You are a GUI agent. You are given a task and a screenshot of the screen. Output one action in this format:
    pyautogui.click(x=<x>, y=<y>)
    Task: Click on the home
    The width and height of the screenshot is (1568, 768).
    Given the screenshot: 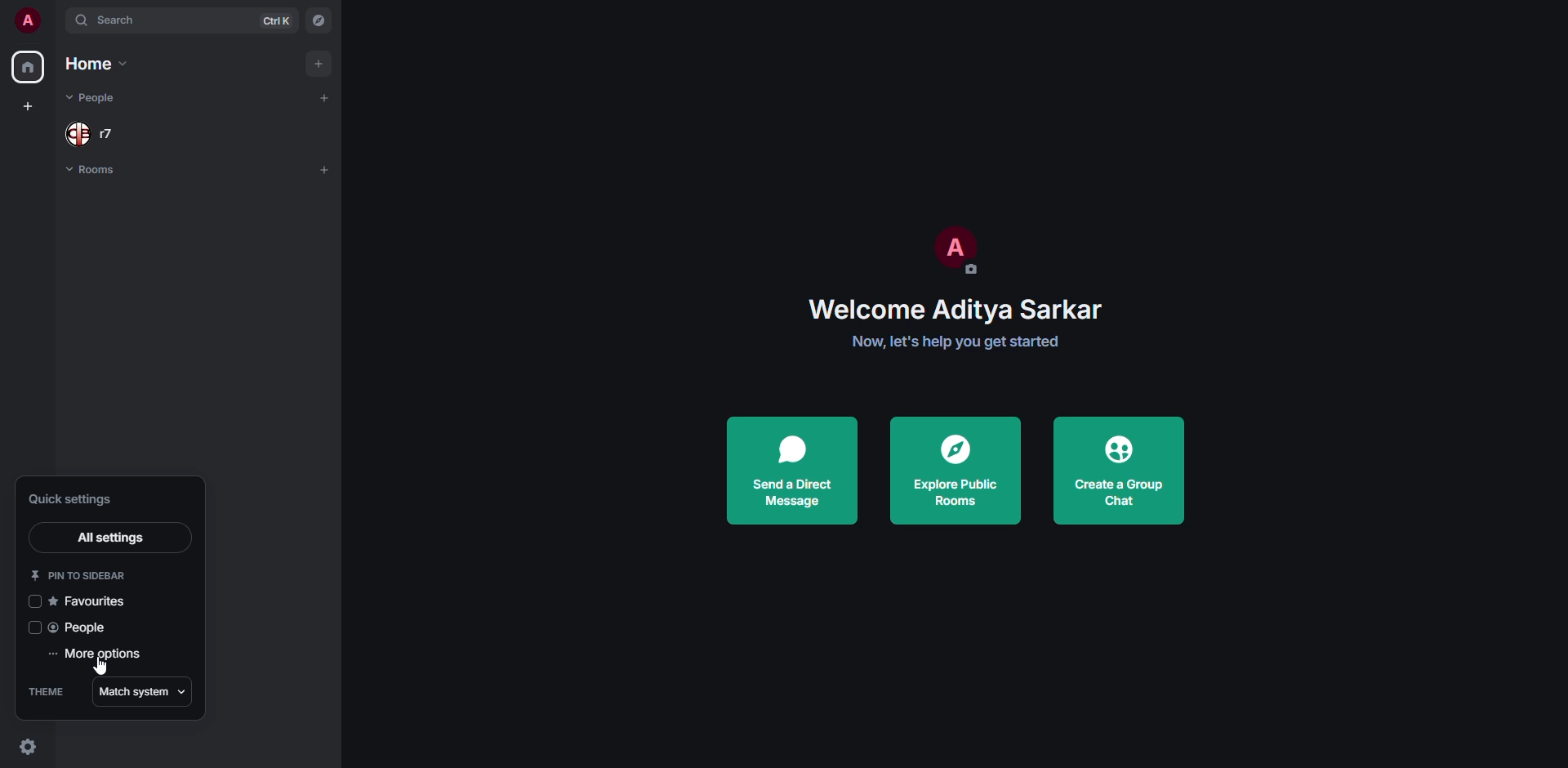 What is the action you would take?
    pyautogui.click(x=95, y=64)
    